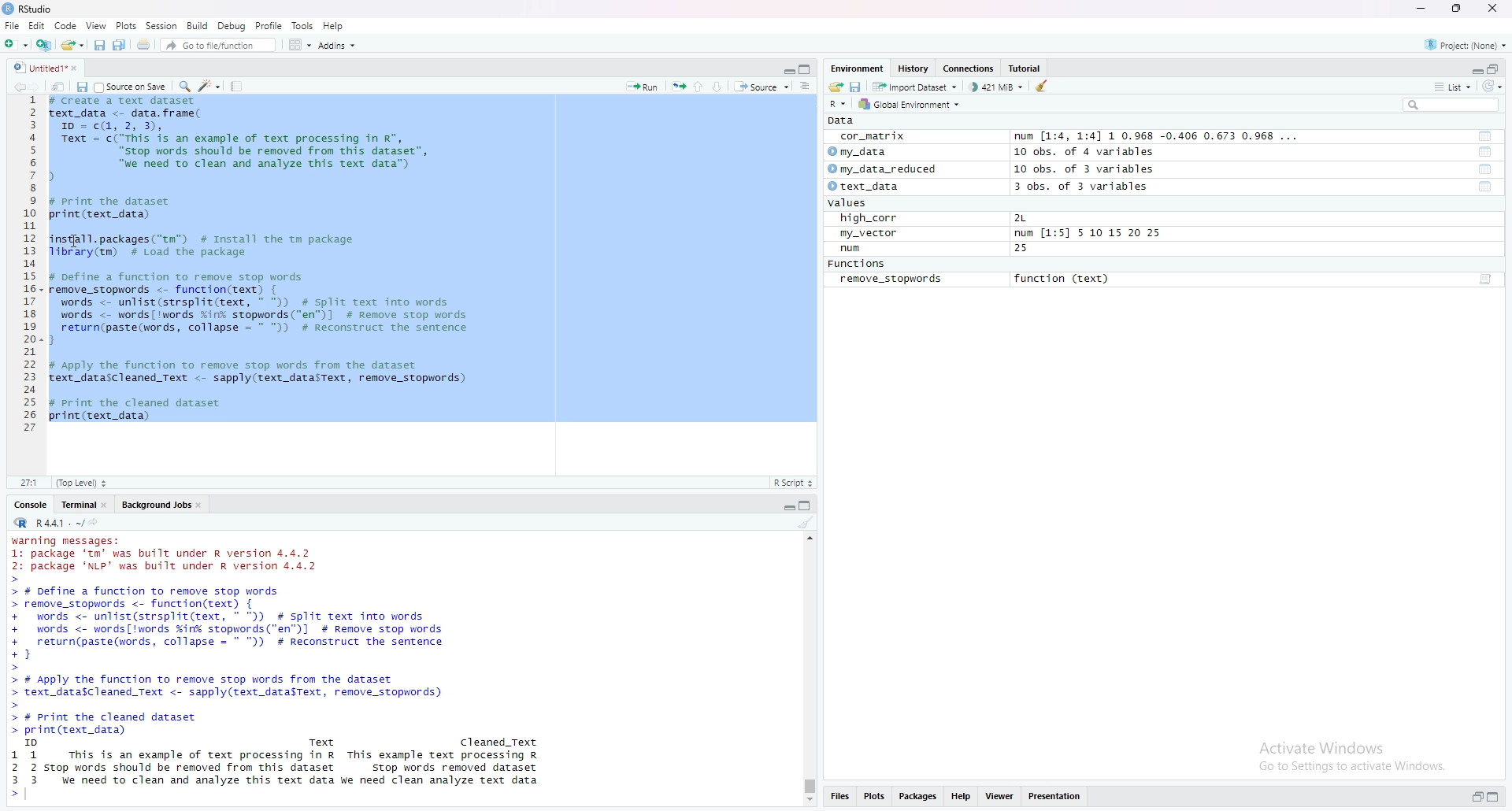 This screenshot has height=811, width=1512. What do you see at coordinates (15, 45) in the screenshot?
I see `new file` at bounding box center [15, 45].